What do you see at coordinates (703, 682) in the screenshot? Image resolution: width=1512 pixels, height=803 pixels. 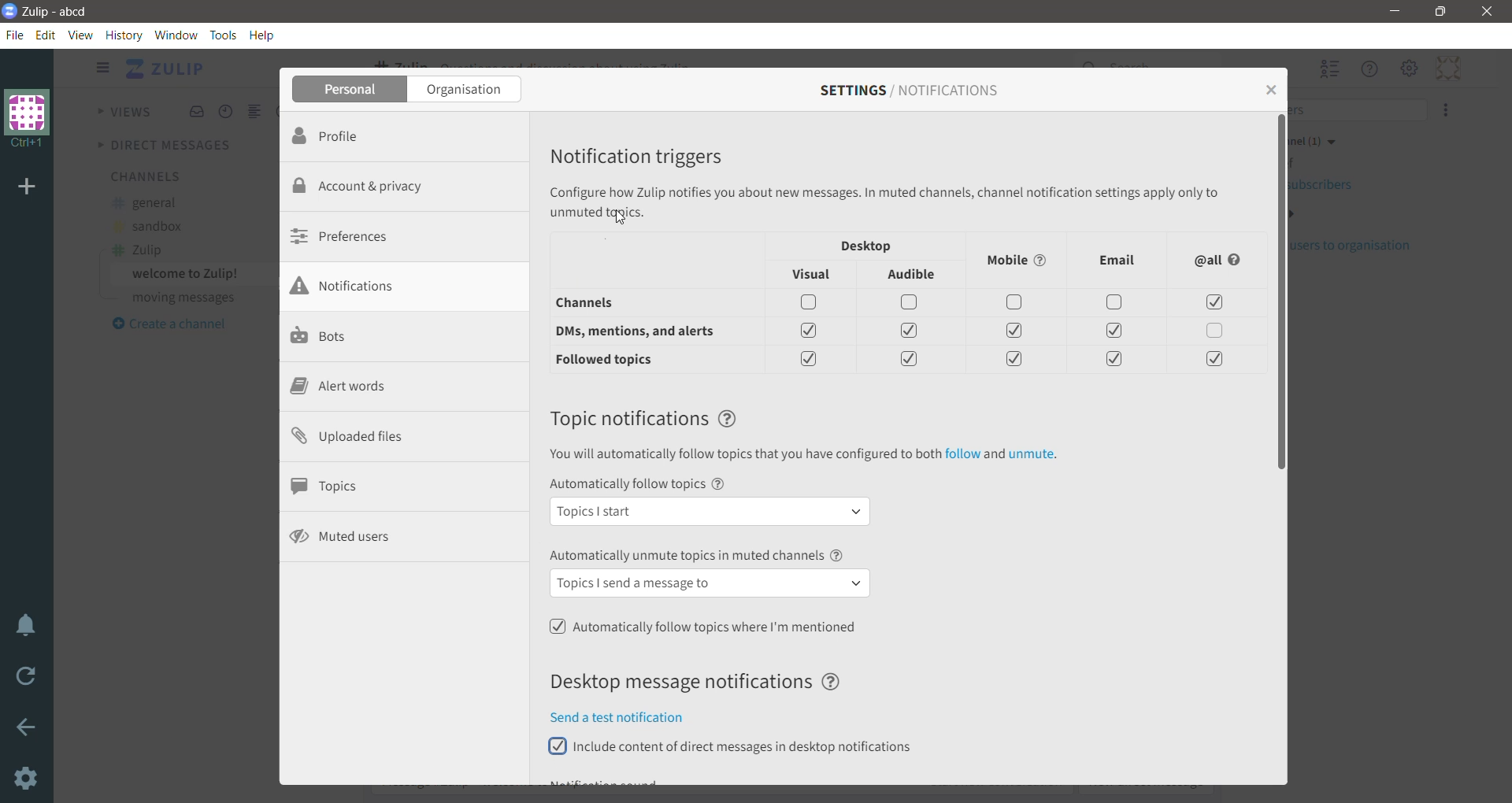 I see `Desktop message notifications` at bounding box center [703, 682].